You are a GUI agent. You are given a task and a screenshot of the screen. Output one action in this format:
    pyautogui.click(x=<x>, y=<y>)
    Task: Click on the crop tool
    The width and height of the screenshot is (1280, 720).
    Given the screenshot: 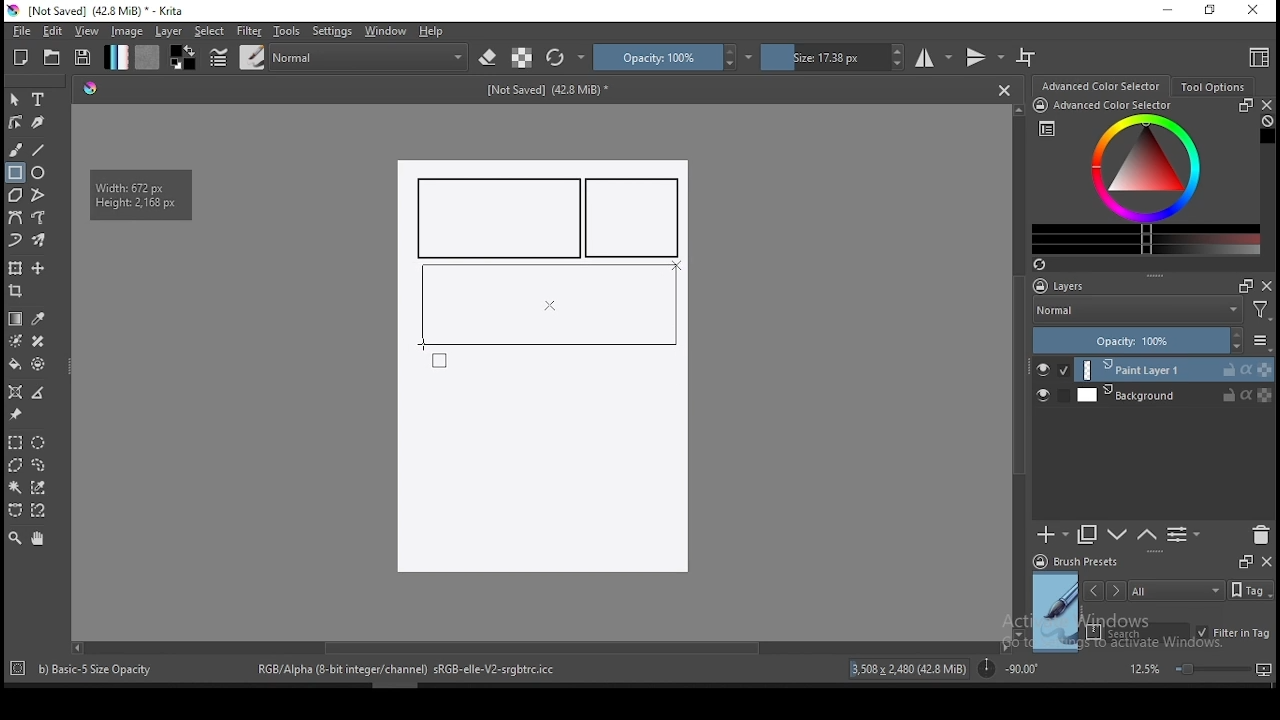 What is the action you would take?
    pyautogui.click(x=18, y=293)
    